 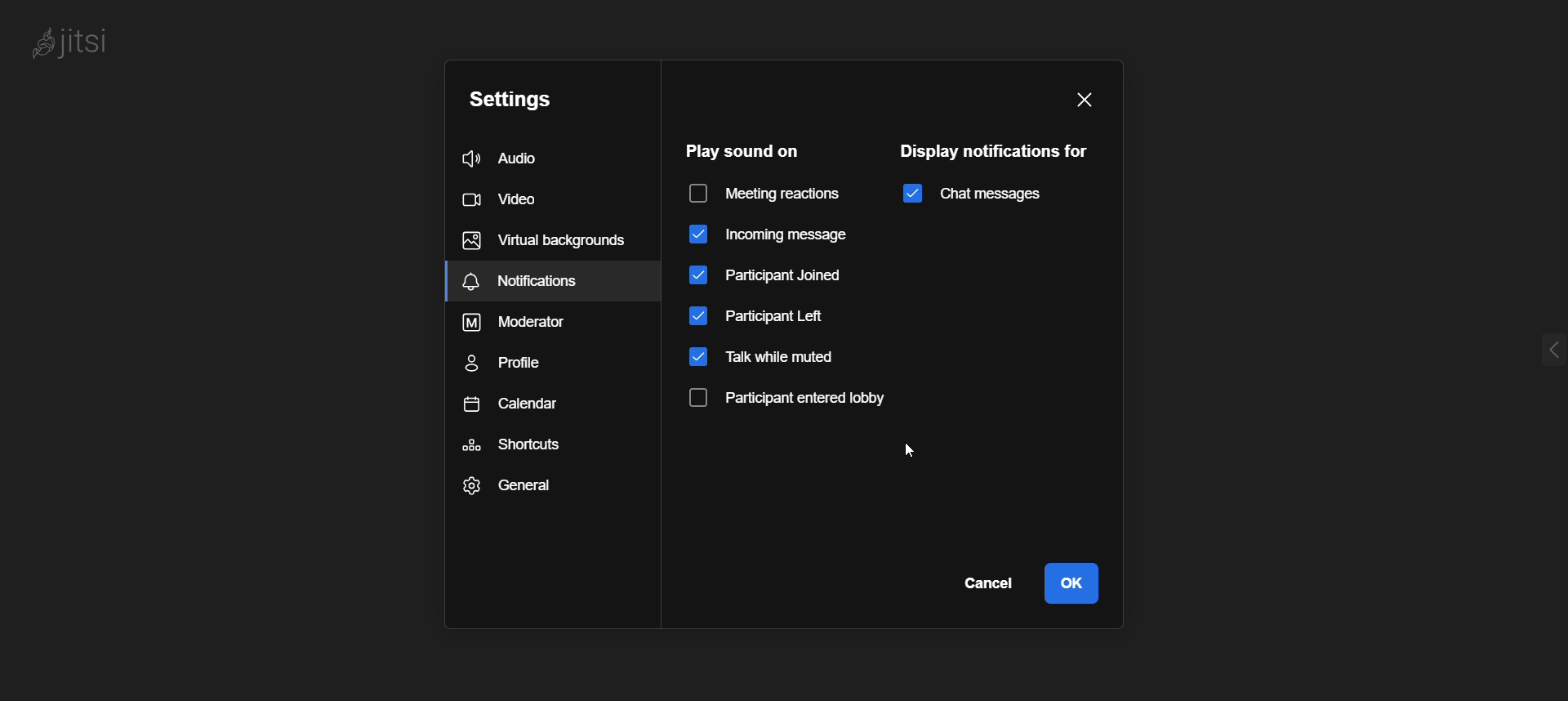 I want to click on Play sound on, so click(x=738, y=150).